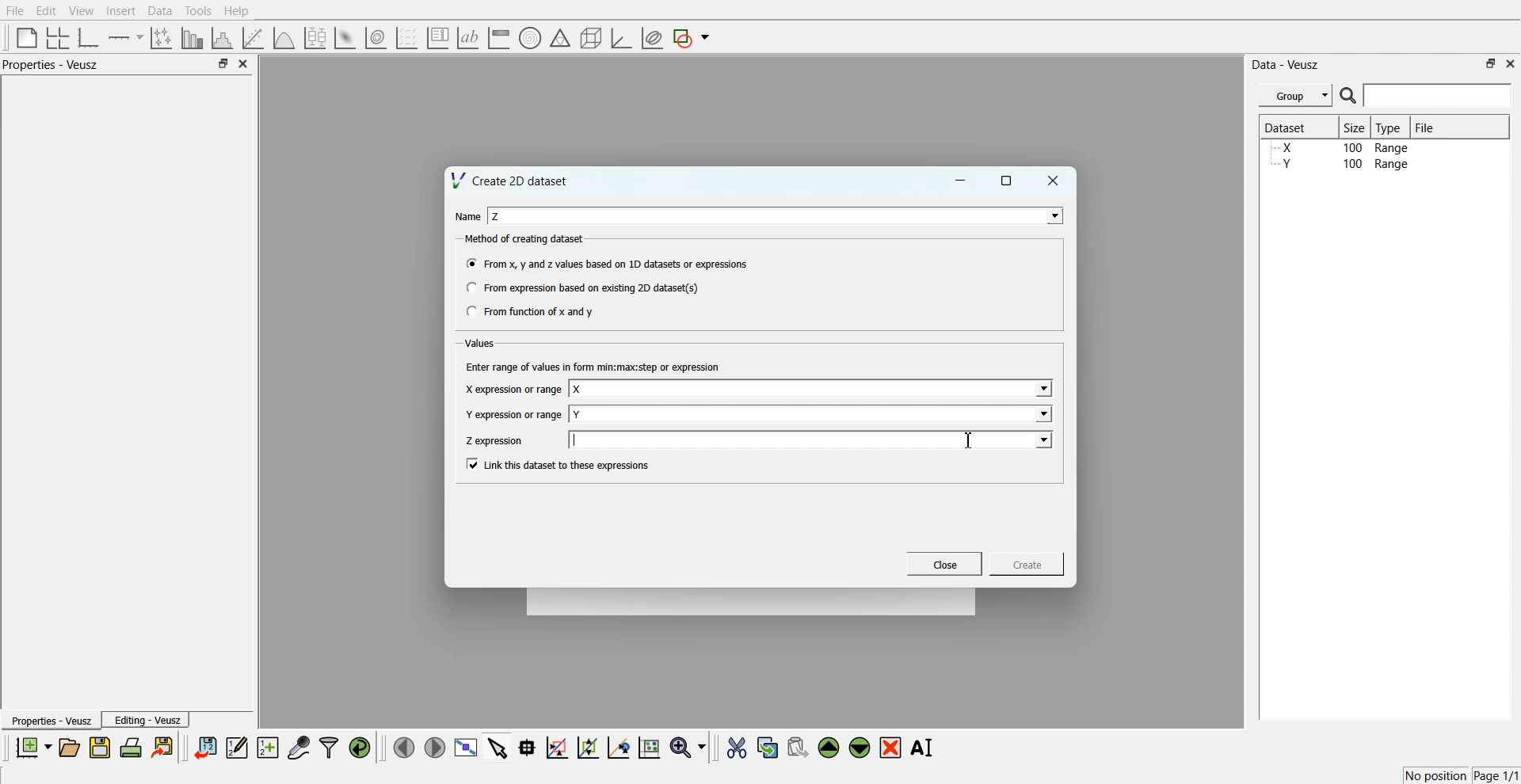 This screenshot has width=1521, height=784. What do you see at coordinates (236, 747) in the screenshot?
I see `Edit and enter new dataset` at bounding box center [236, 747].